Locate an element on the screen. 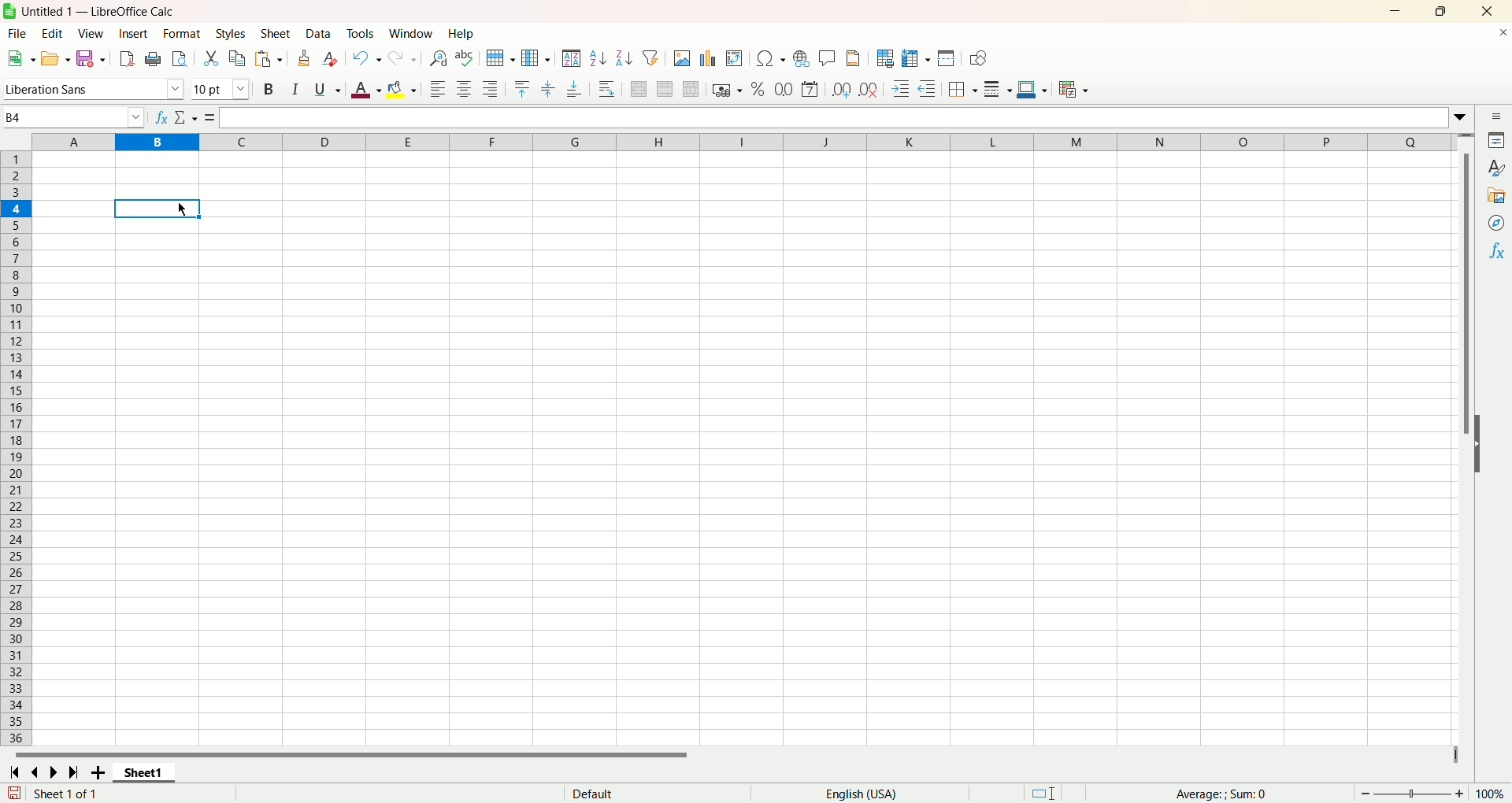 The image size is (1512, 803). new sheet is located at coordinates (101, 772).